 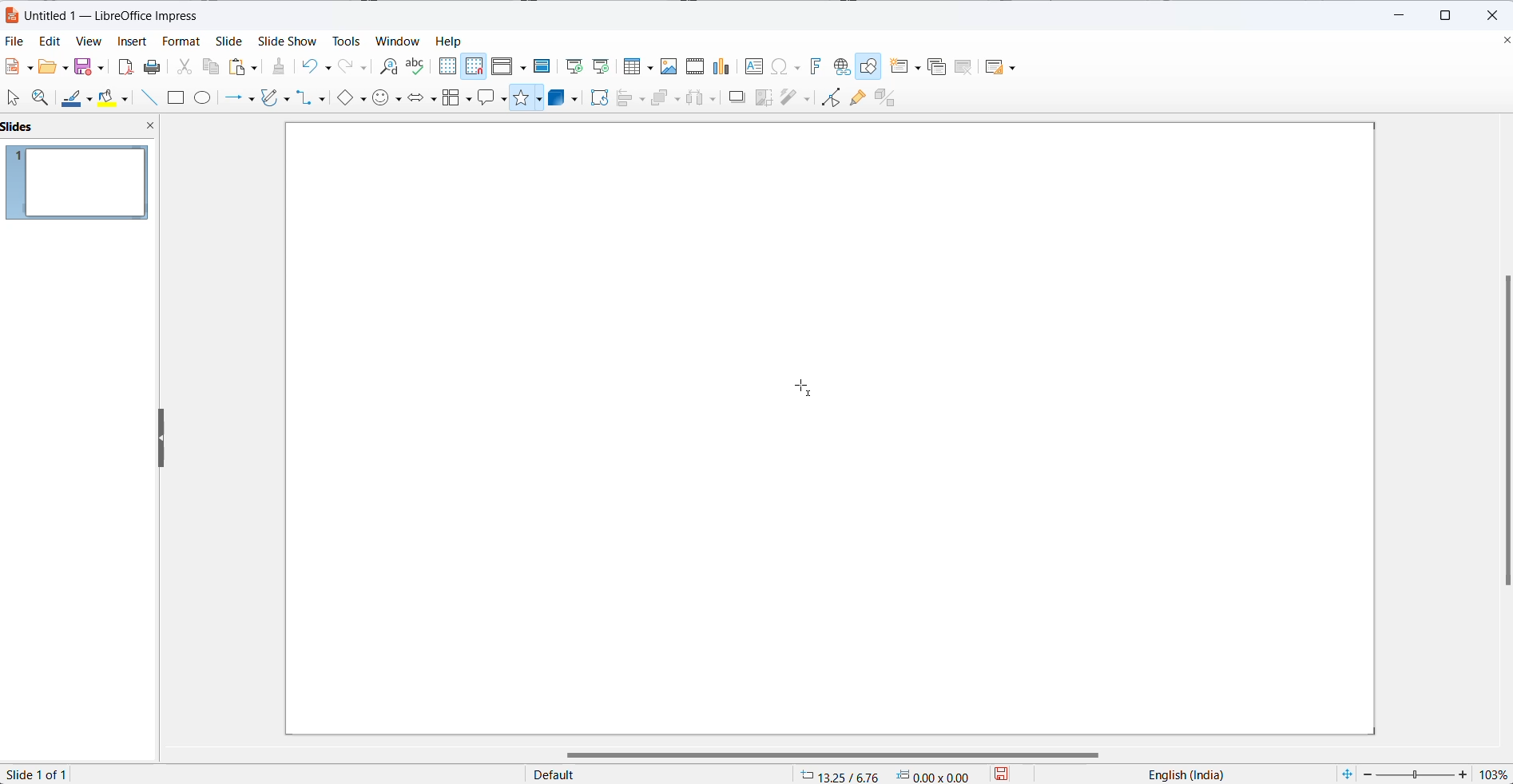 What do you see at coordinates (89, 66) in the screenshot?
I see `save` at bounding box center [89, 66].